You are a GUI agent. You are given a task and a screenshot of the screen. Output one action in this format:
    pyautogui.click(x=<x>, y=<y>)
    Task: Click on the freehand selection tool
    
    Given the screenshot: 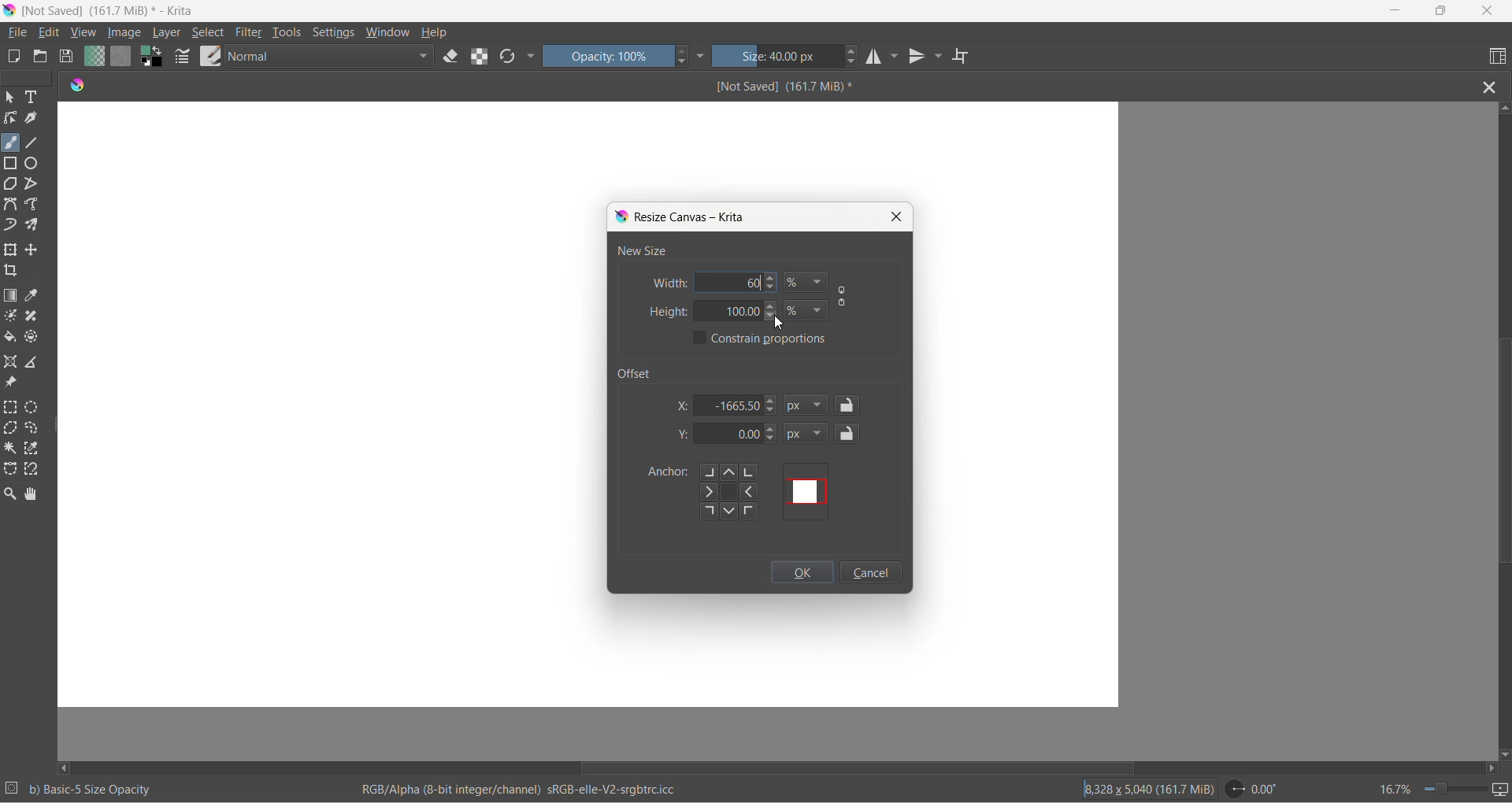 What is the action you would take?
    pyautogui.click(x=35, y=429)
    